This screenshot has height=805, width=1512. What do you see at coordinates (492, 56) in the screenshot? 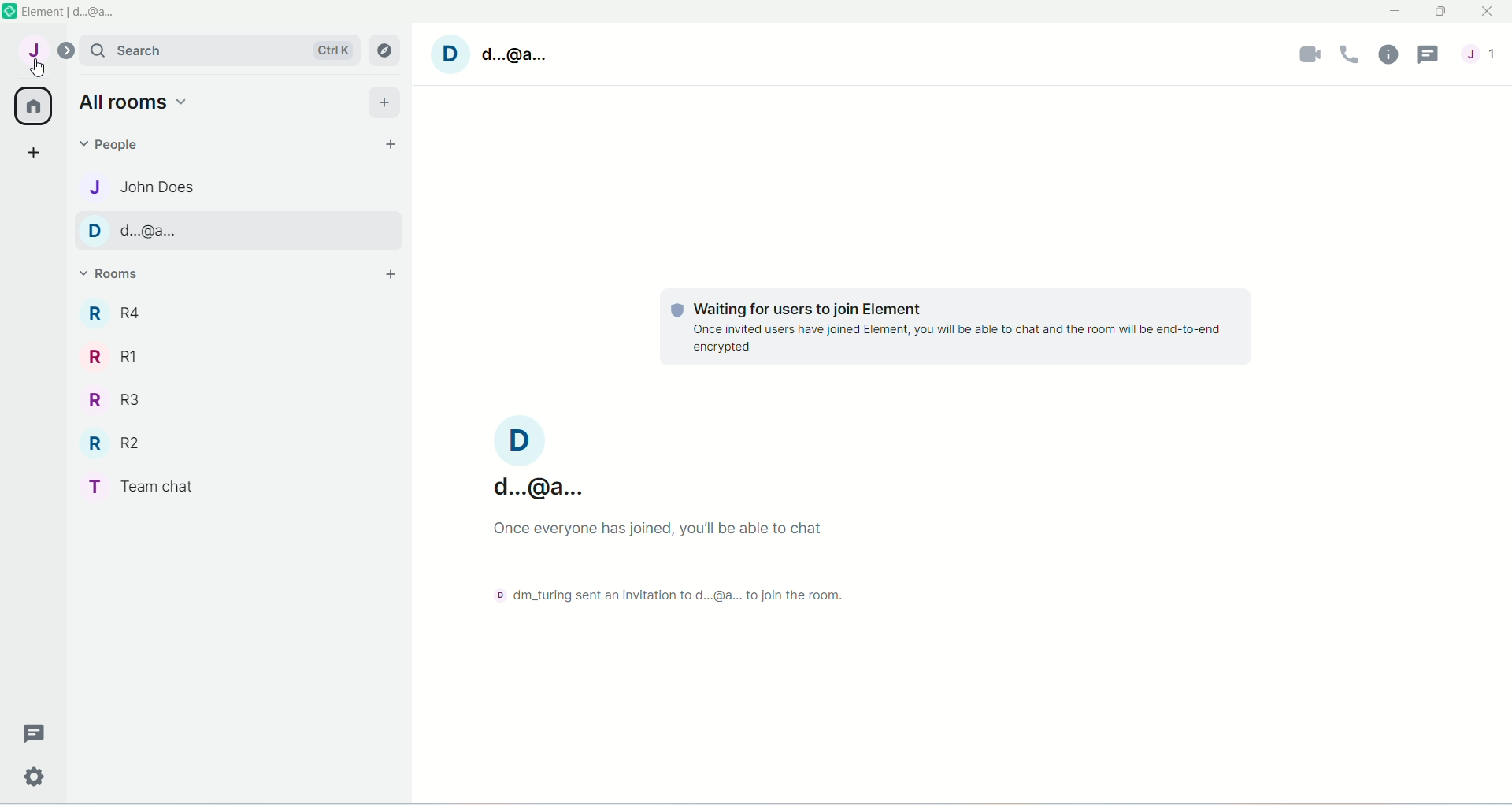
I see `Username- d..@a` at bounding box center [492, 56].